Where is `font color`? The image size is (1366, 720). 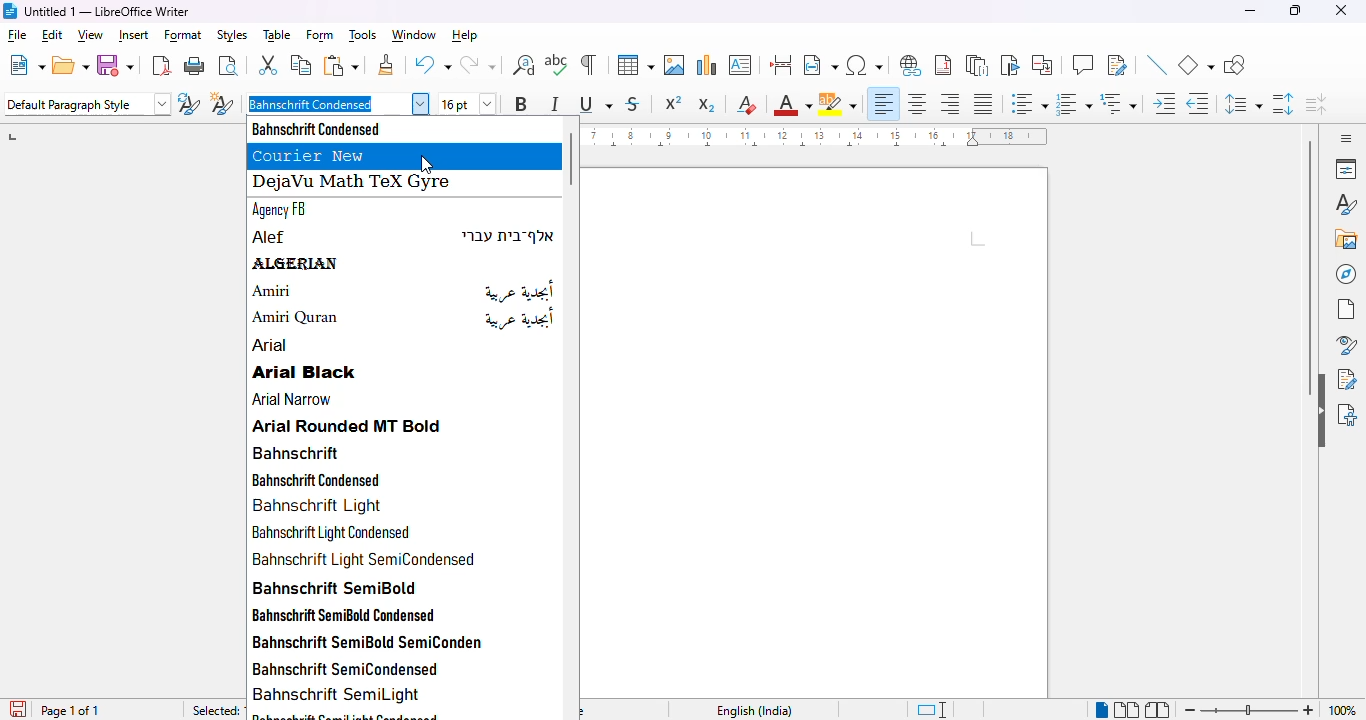 font color is located at coordinates (793, 104).